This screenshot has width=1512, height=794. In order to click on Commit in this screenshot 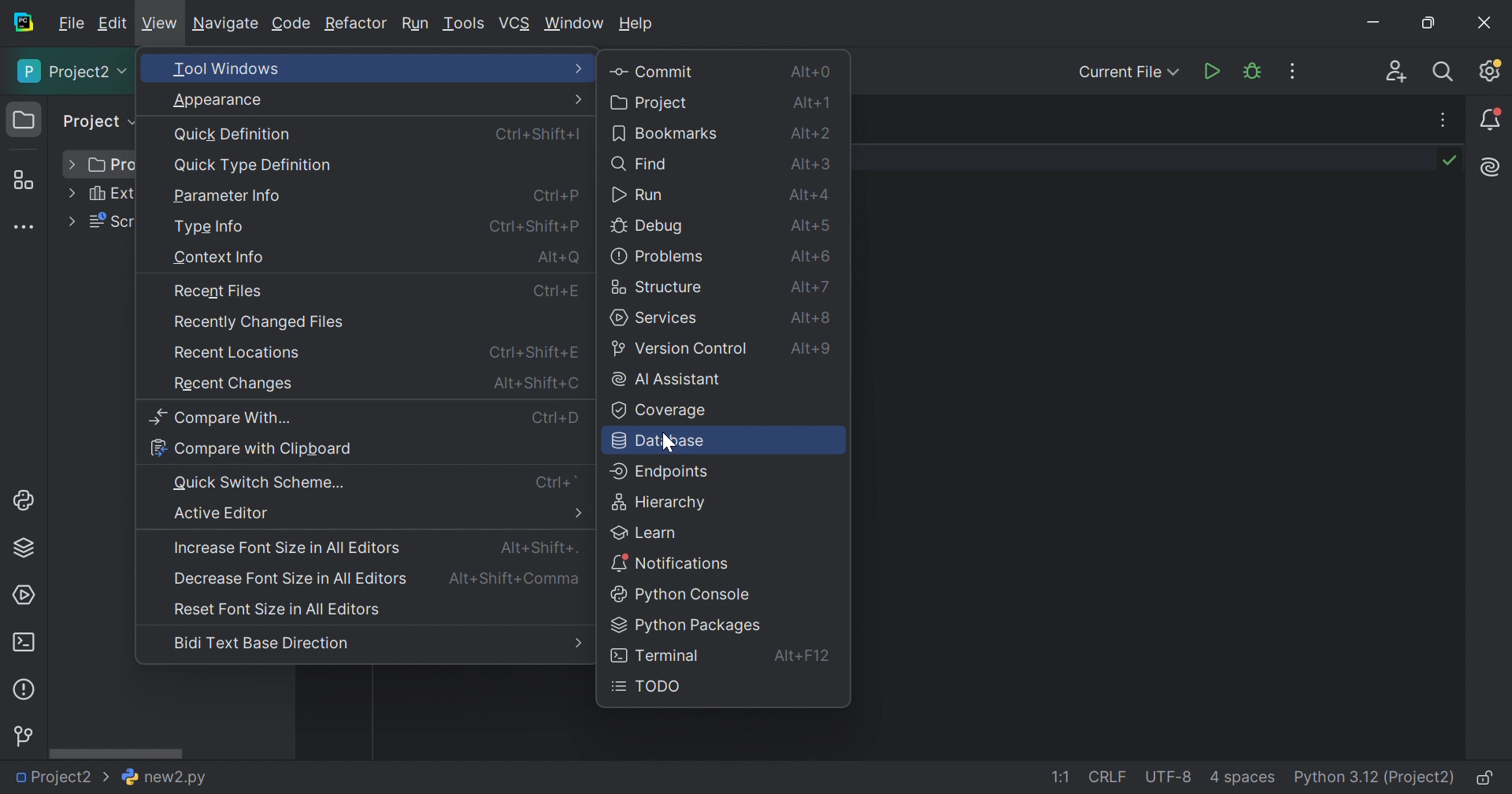, I will do `click(655, 71)`.